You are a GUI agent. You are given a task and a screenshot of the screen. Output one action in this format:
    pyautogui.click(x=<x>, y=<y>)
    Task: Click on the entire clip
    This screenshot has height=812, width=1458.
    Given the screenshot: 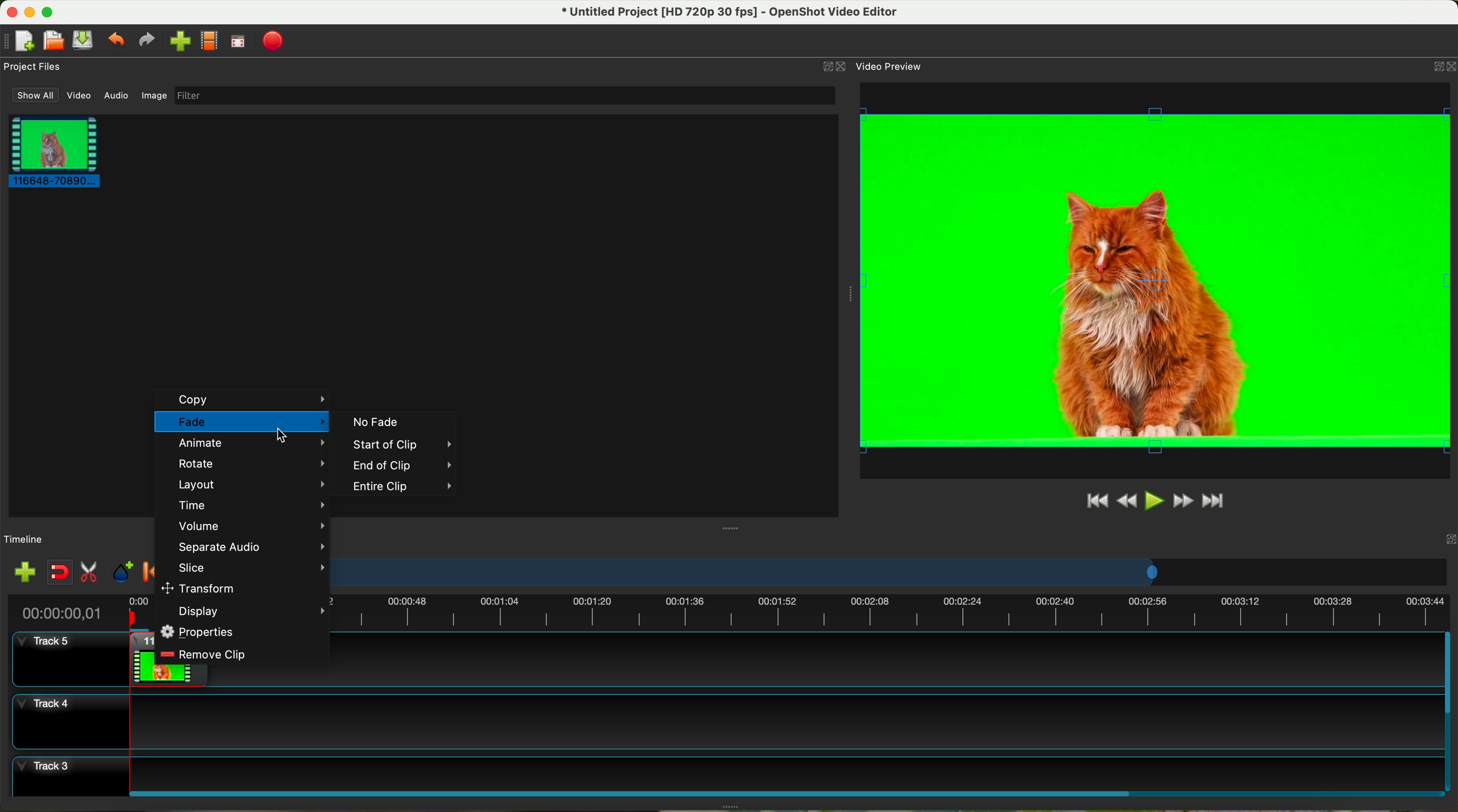 What is the action you would take?
    pyautogui.click(x=403, y=488)
    